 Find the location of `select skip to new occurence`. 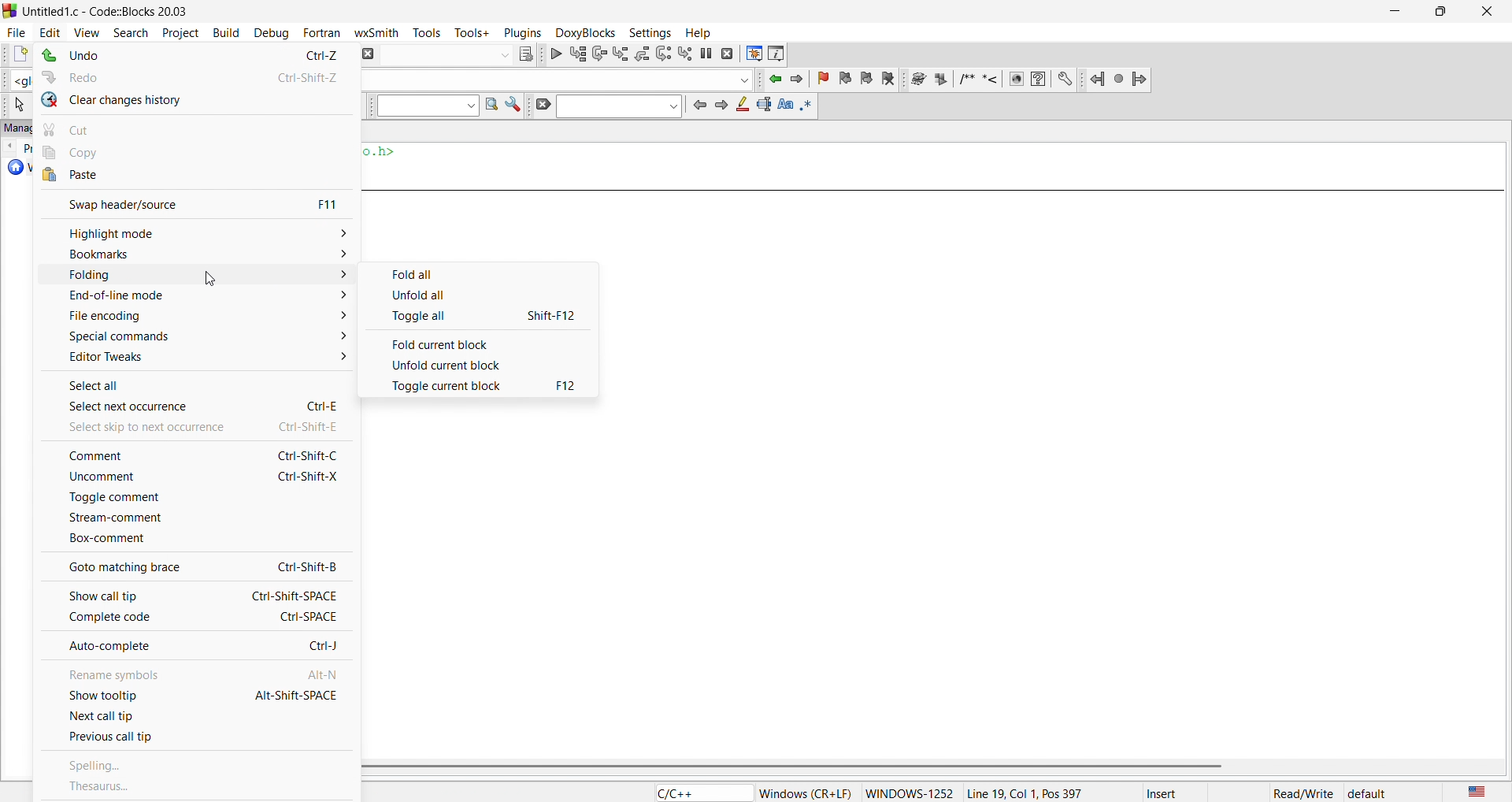

select skip to new occurence is located at coordinates (186, 426).